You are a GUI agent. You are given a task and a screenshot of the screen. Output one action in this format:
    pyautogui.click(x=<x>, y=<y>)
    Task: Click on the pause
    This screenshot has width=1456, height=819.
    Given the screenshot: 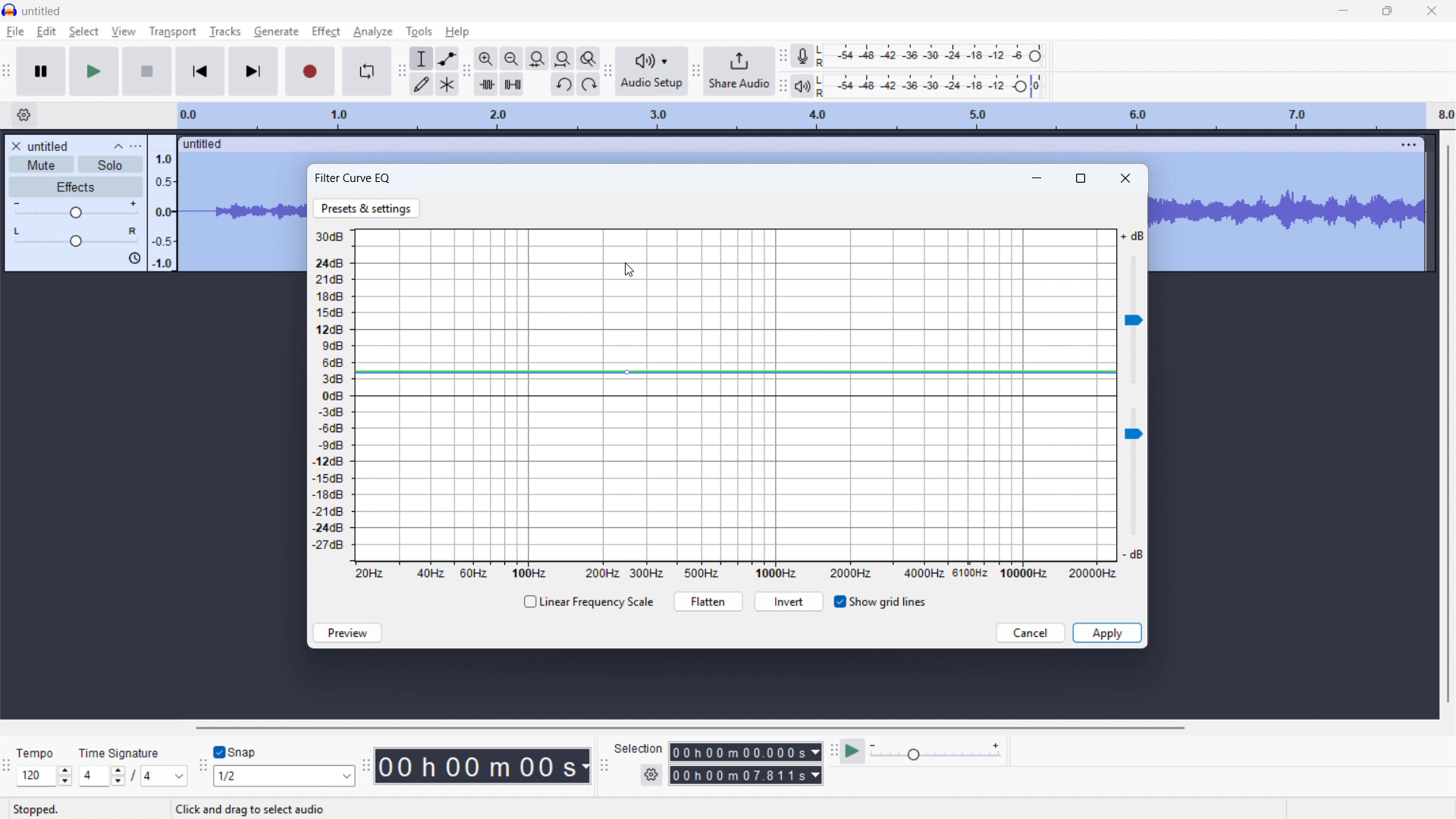 What is the action you would take?
    pyautogui.click(x=42, y=71)
    